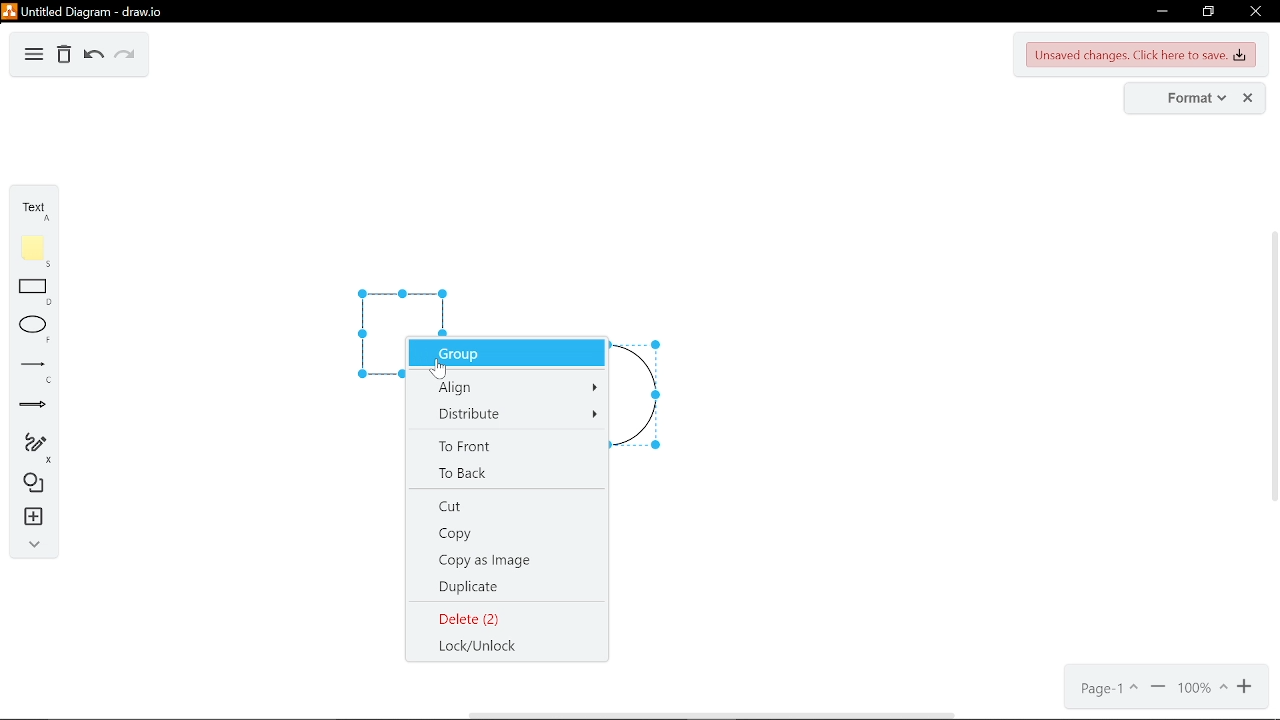 Image resolution: width=1280 pixels, height=720 pixels. What do you see at coordinates (507, 562) in the screenshot?
I see `copy as image` at bounding box center [507, 562].